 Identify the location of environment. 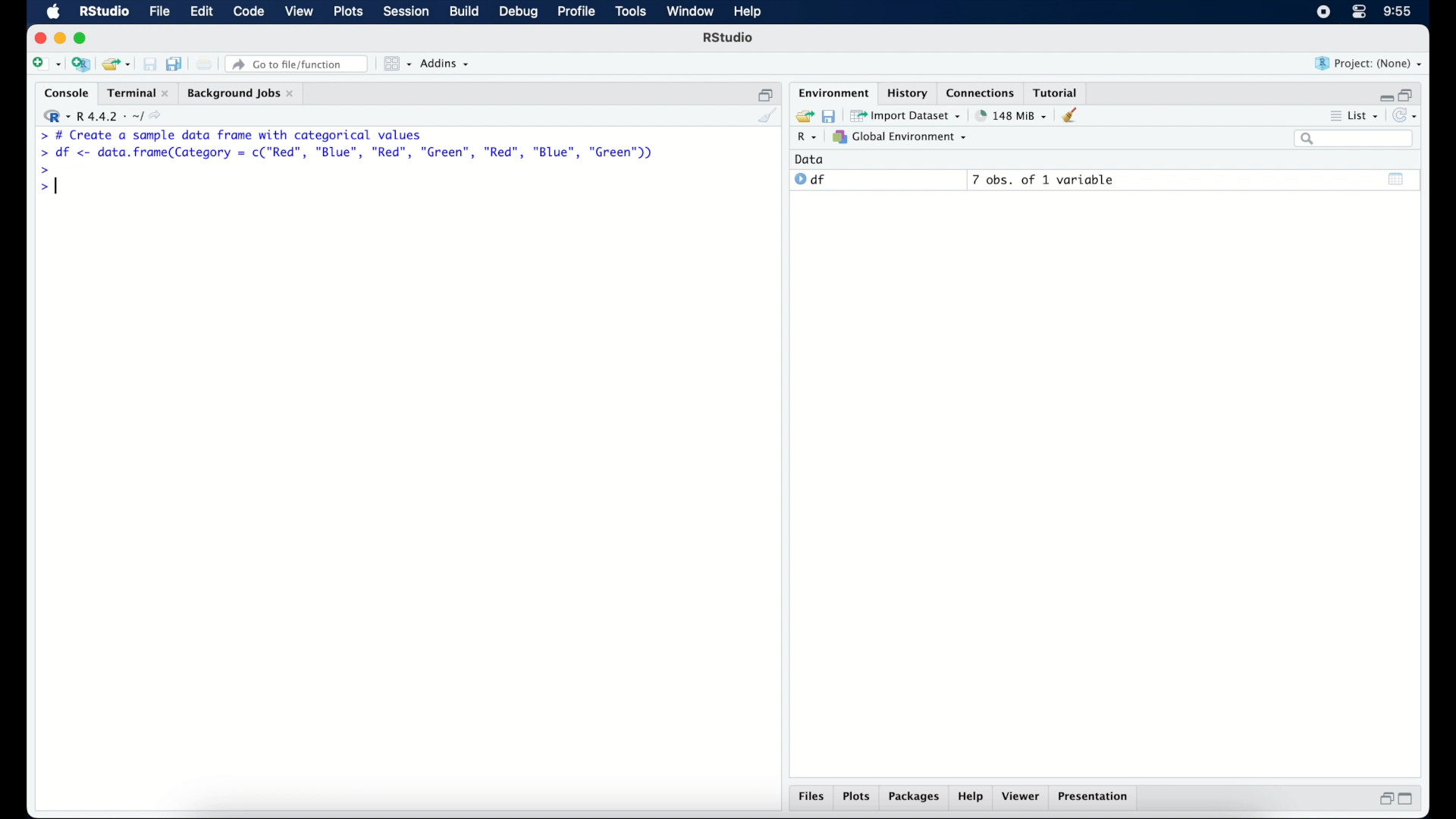
(833, 92).